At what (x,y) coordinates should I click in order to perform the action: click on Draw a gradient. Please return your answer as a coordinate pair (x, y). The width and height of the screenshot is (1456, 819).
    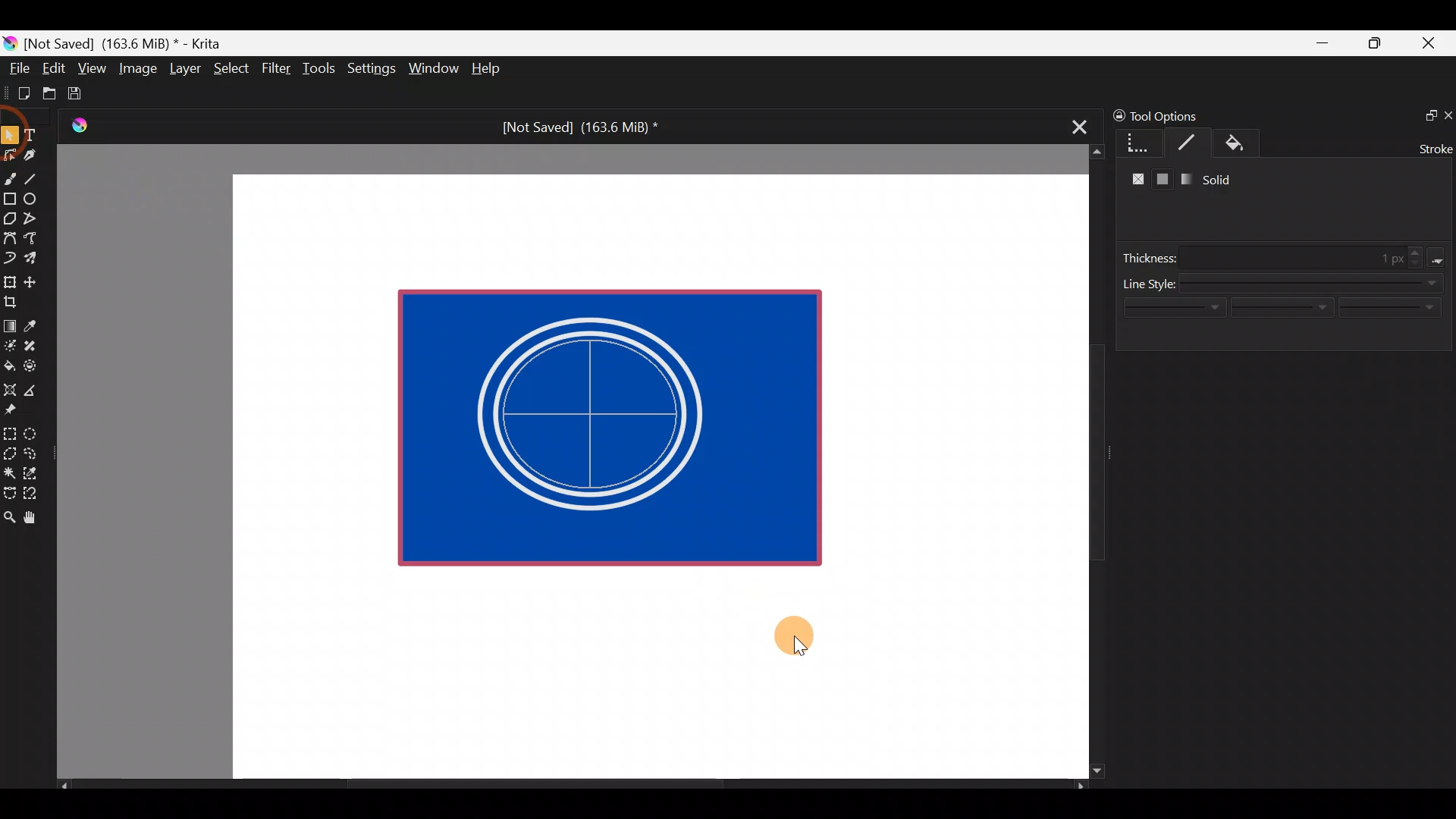
    Looking at the image, I should click on (9, 322).